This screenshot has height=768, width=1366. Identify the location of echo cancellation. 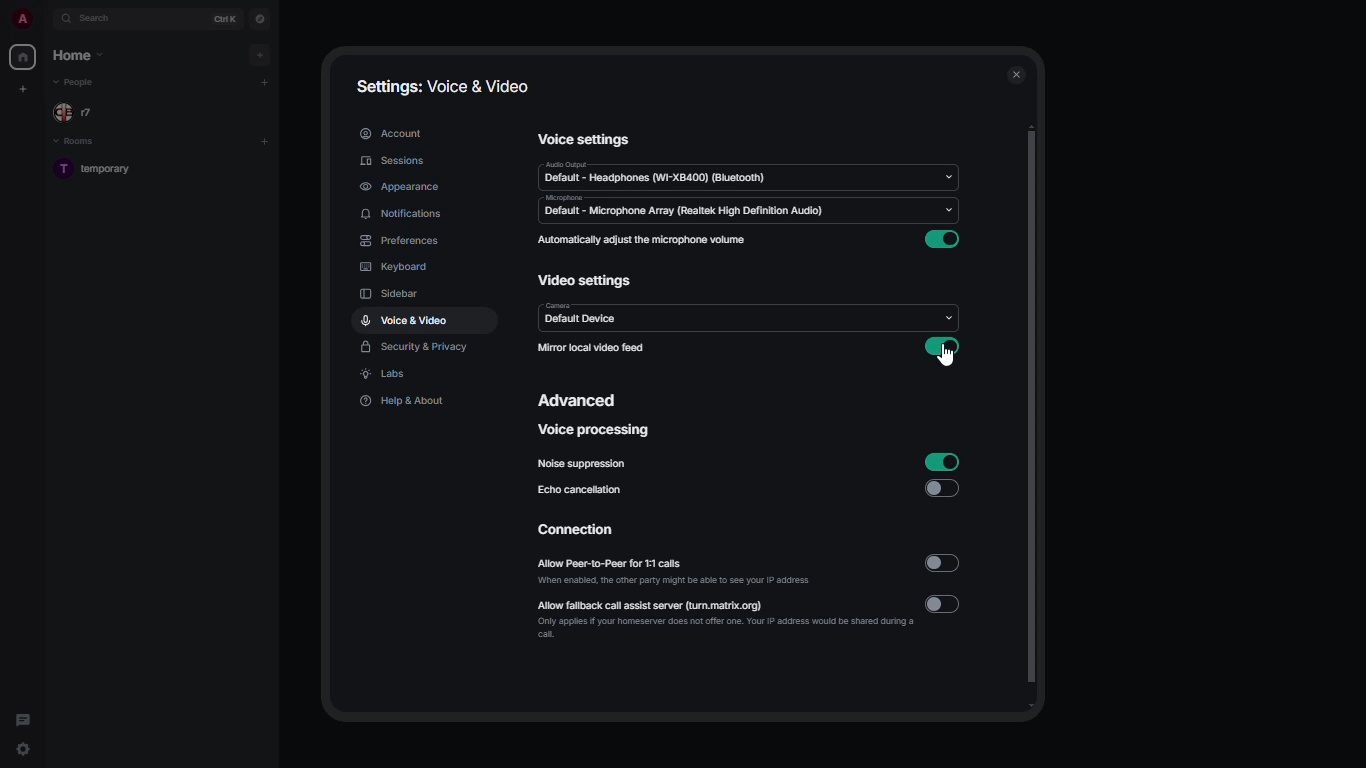
(579, 489).